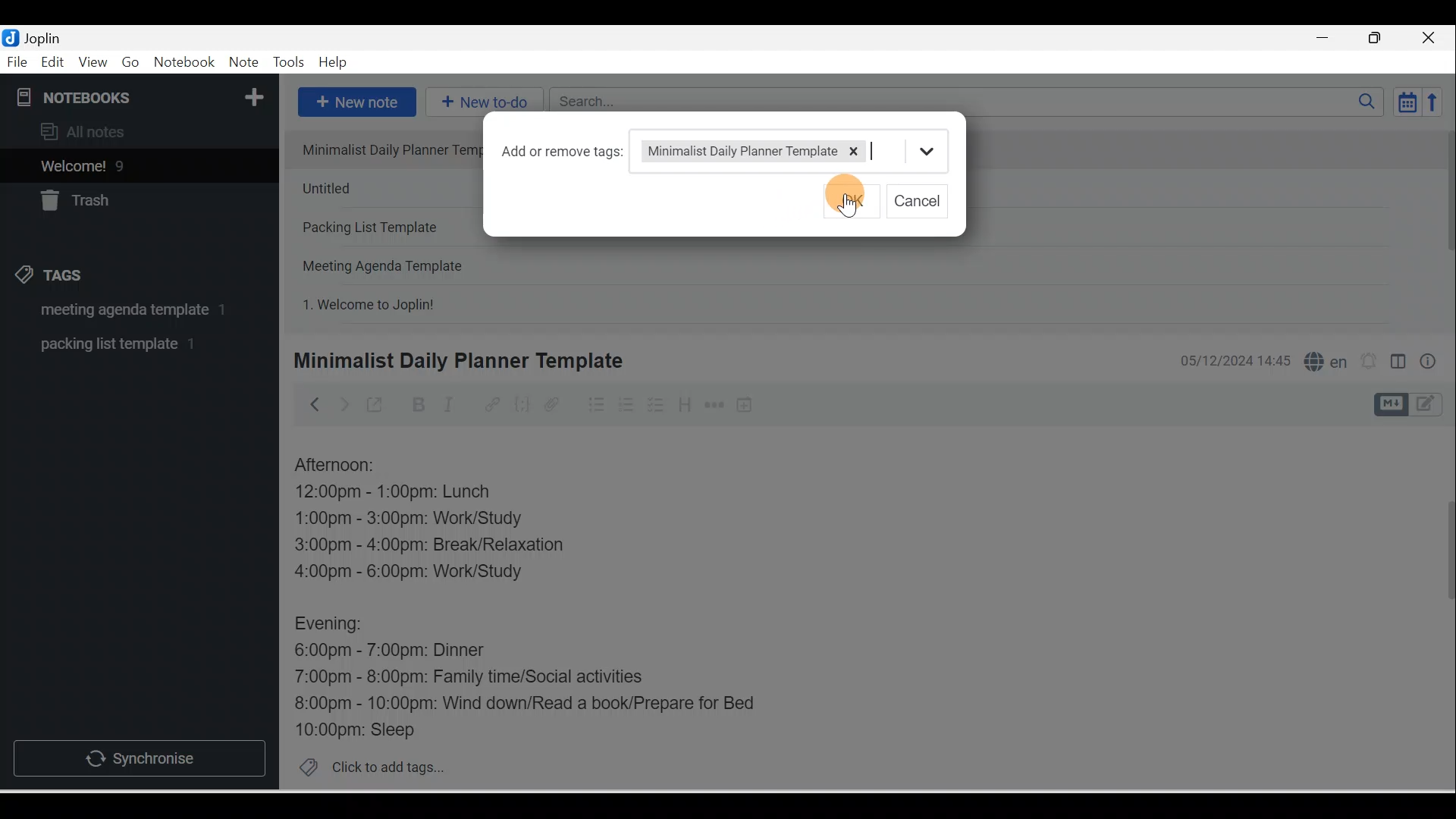  What do you see at coordinates (345, 466) in the screenshot?
I see `Afternoon:` at bounding box center [345, 466].